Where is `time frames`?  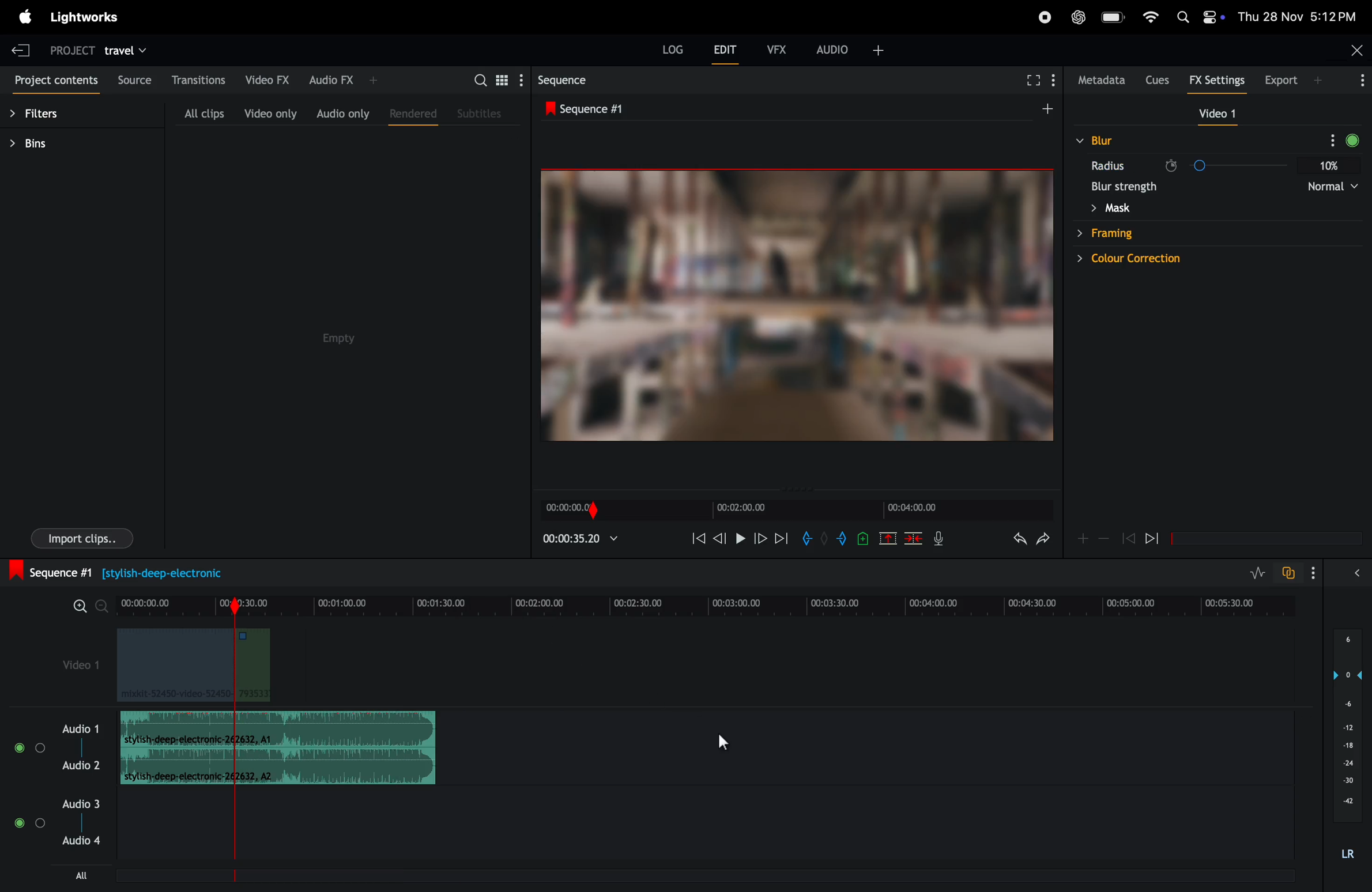 time frames is located at coordinates (706, 603).